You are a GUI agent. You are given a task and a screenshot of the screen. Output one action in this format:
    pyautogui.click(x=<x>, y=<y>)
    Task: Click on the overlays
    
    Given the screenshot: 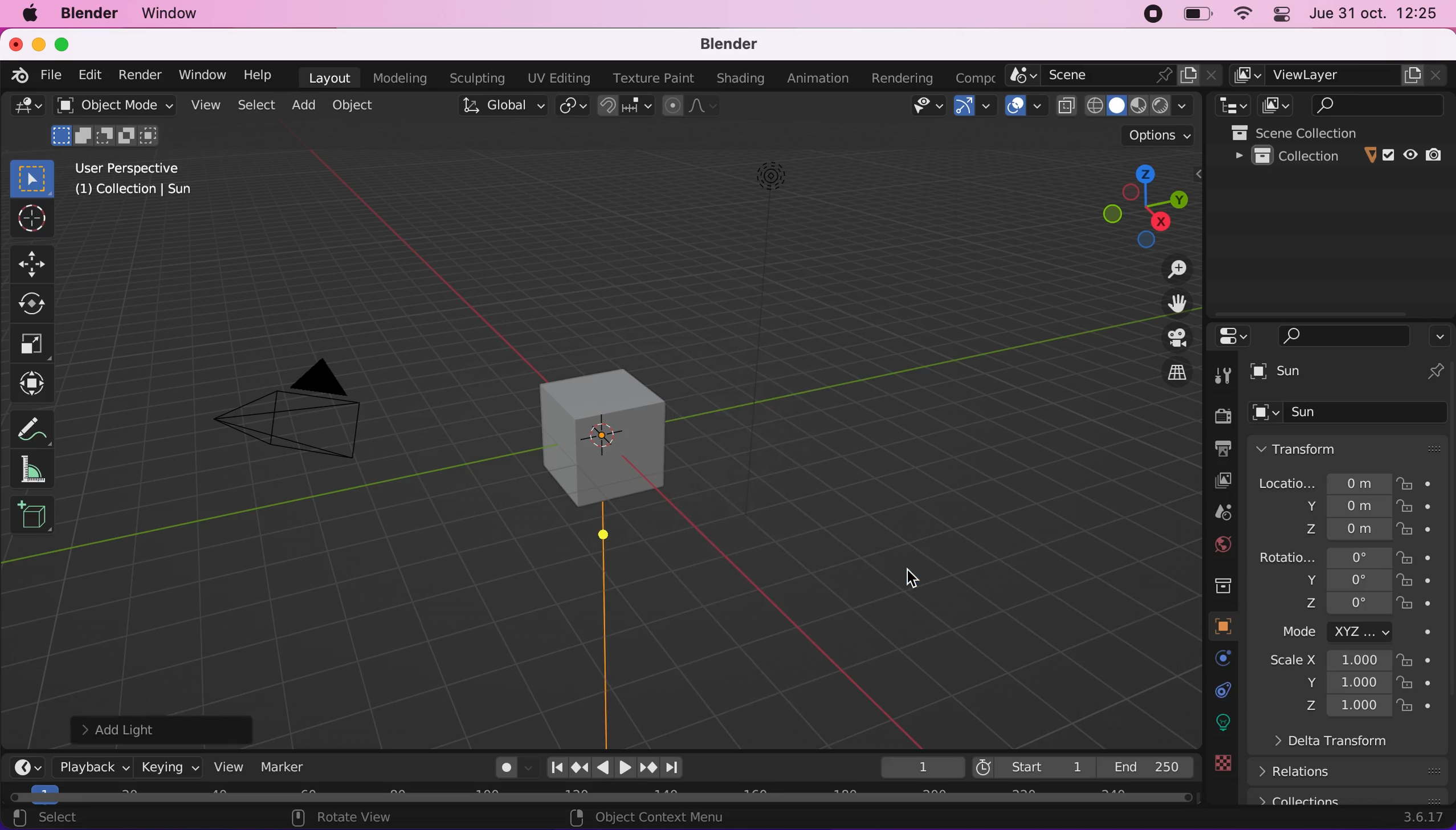 What is the action you would take?
    pyautogui.click(x=1023, y=106)
    